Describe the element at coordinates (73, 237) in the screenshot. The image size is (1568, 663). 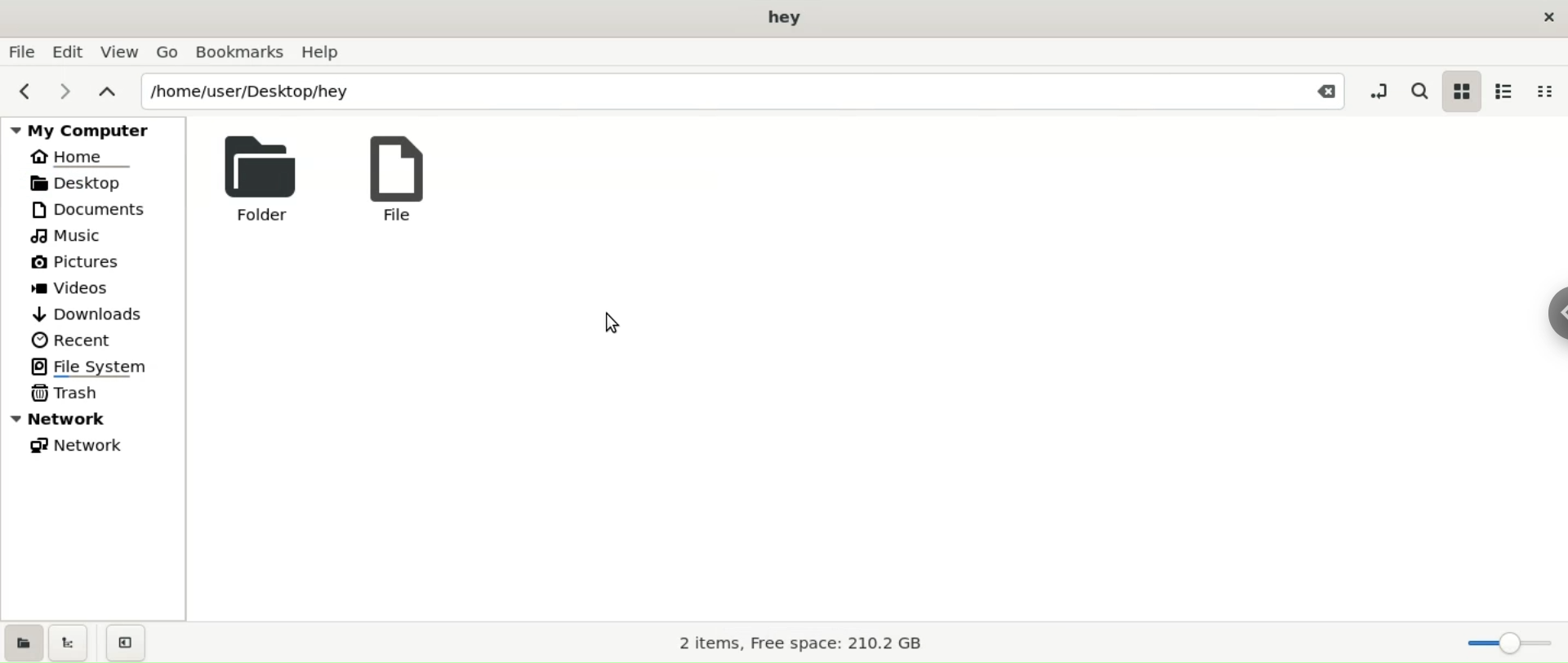
I see `Music` at that location.